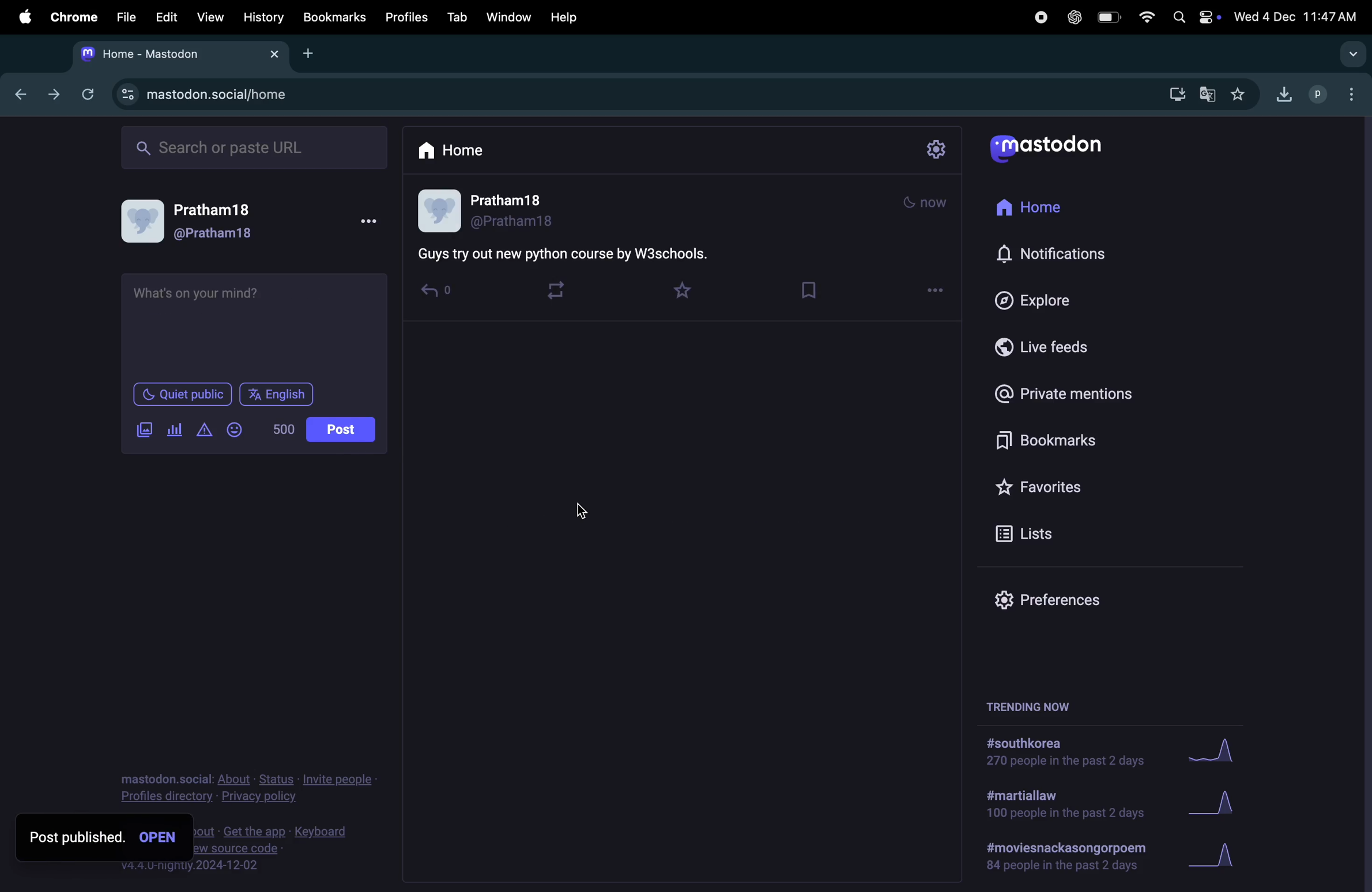 The height and width of the screenshot is (892, 1372). What do you see at coordinates (21, 20) in the screenshot?
I see `apple menu` at bounding box center [21, 20].